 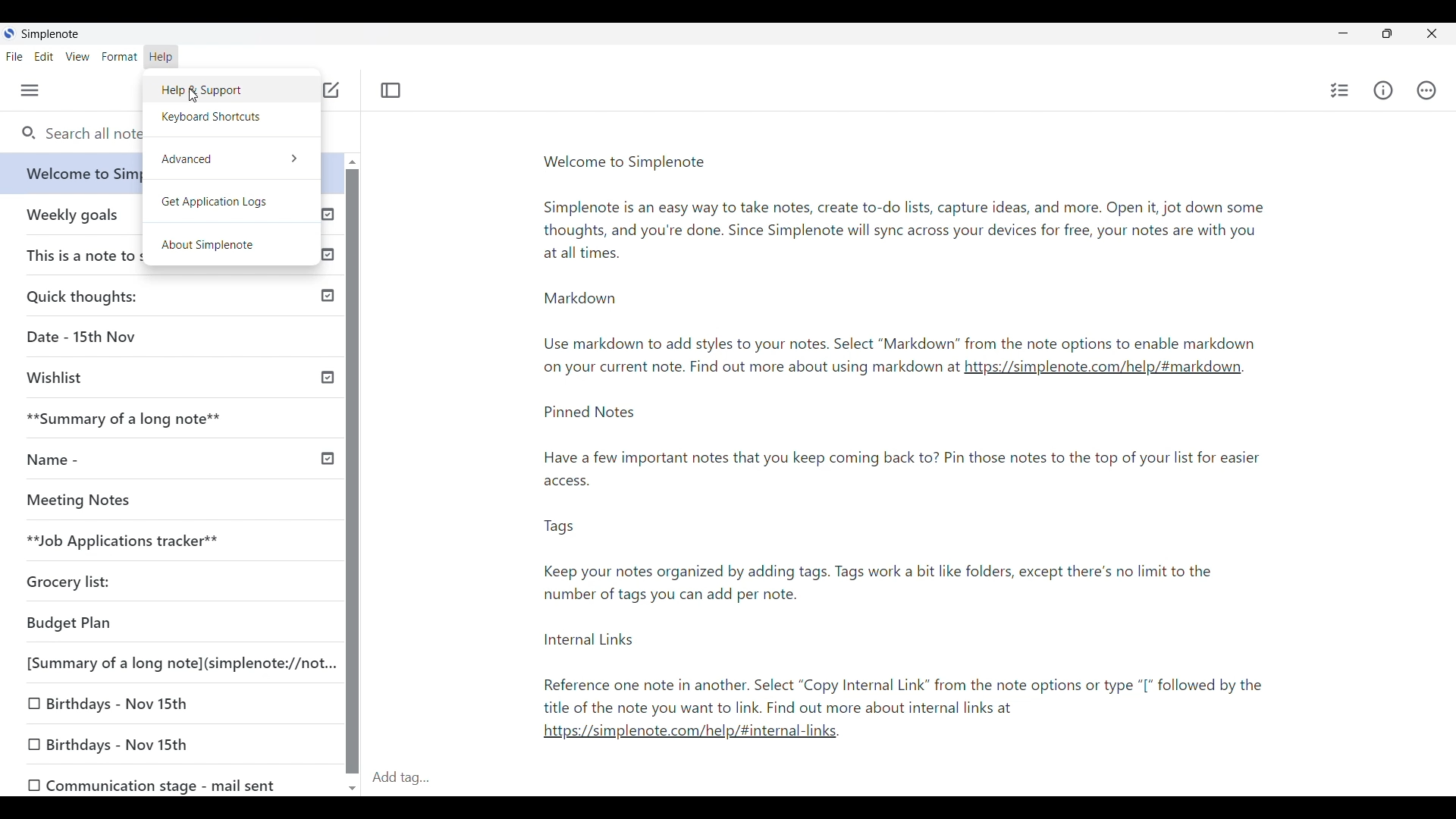 I want to click on **Summary of a long note**, so click(x=140, y=419).